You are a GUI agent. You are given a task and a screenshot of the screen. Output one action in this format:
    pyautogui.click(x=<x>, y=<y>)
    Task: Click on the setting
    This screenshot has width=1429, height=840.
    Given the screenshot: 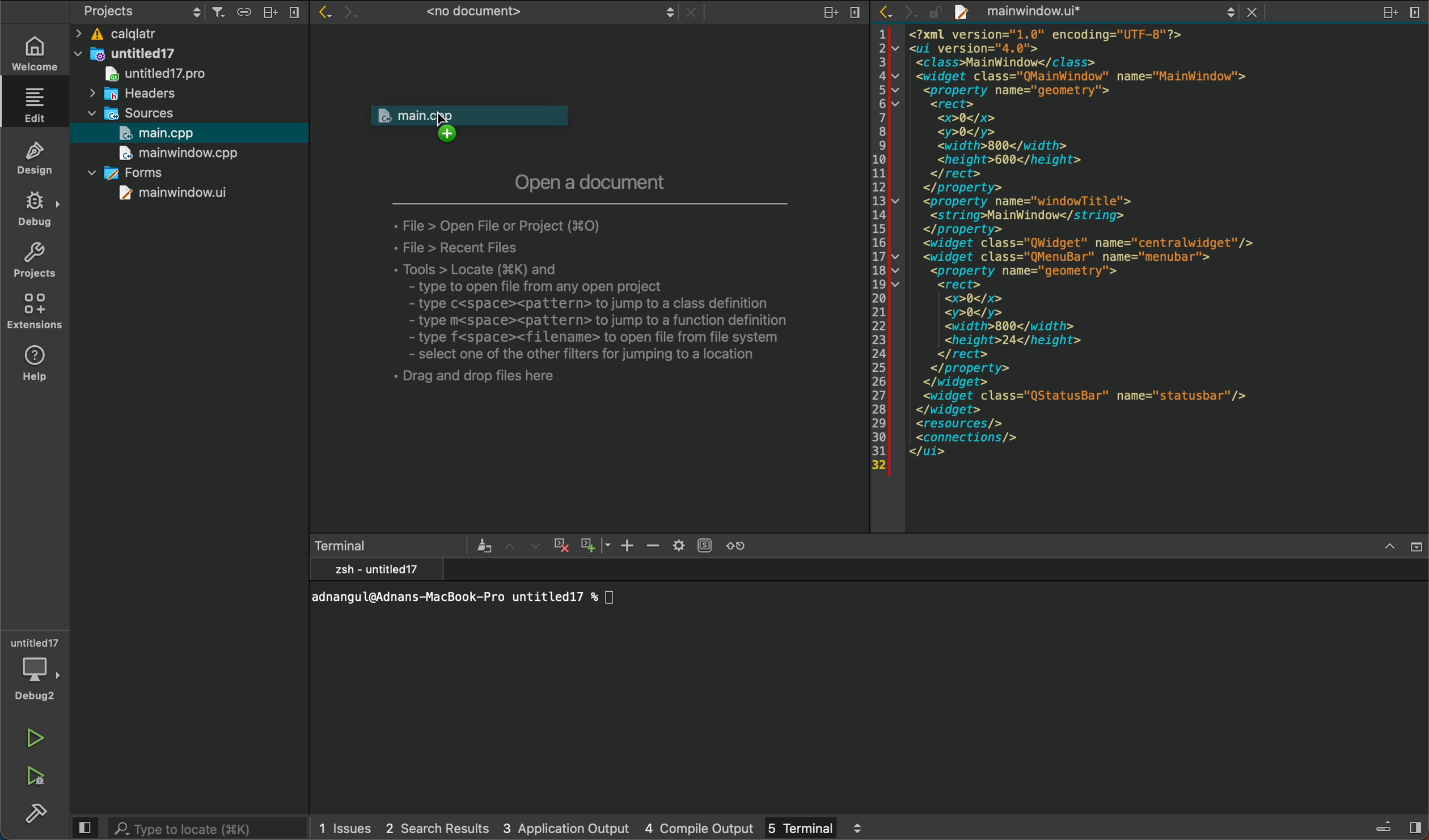 What is the action you would take?
    pyautogui.click(x=692, y=545)
    